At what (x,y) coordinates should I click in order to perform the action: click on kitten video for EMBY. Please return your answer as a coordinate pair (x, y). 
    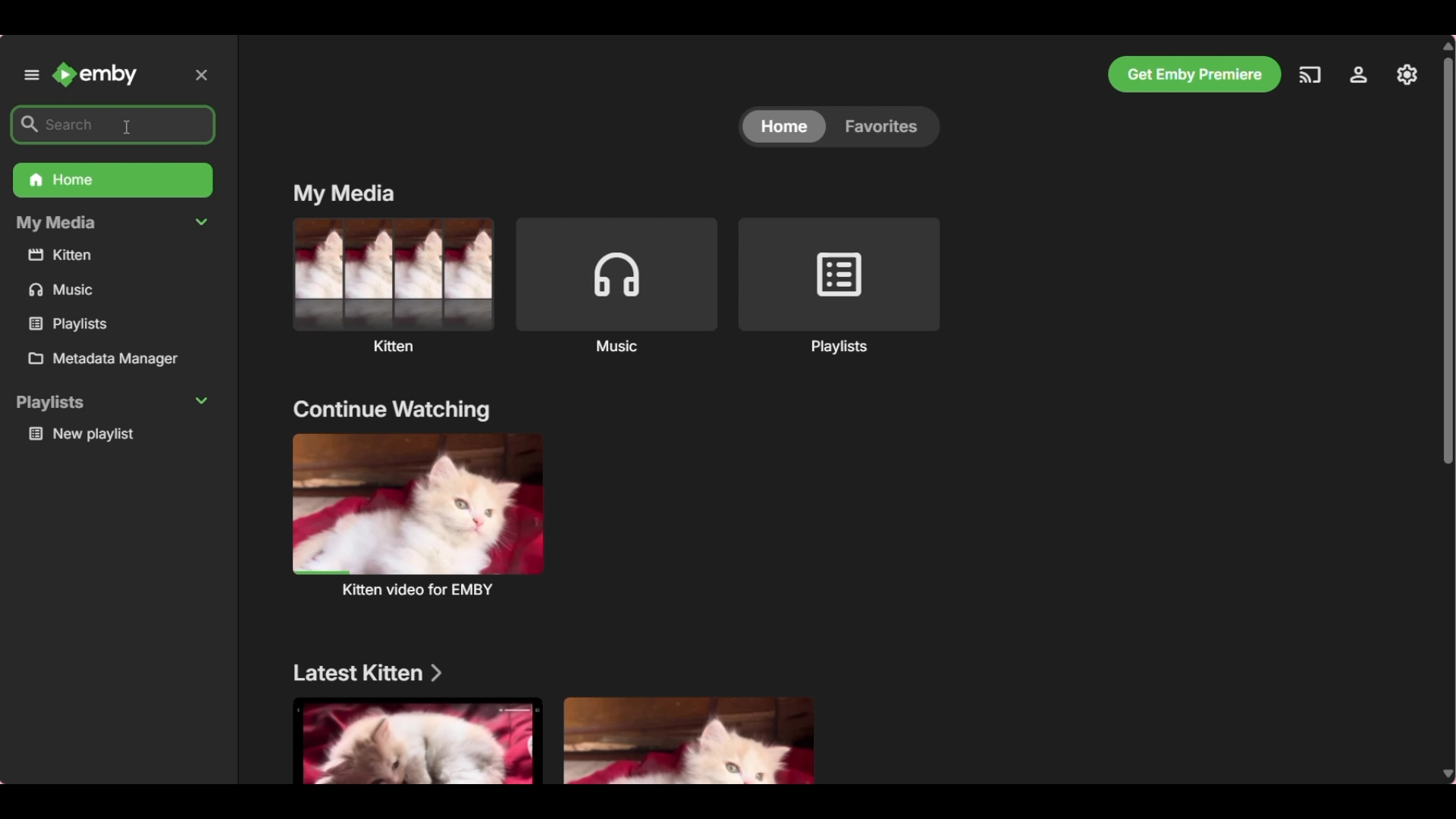
    Looking at the image, I should click on (419, 513).